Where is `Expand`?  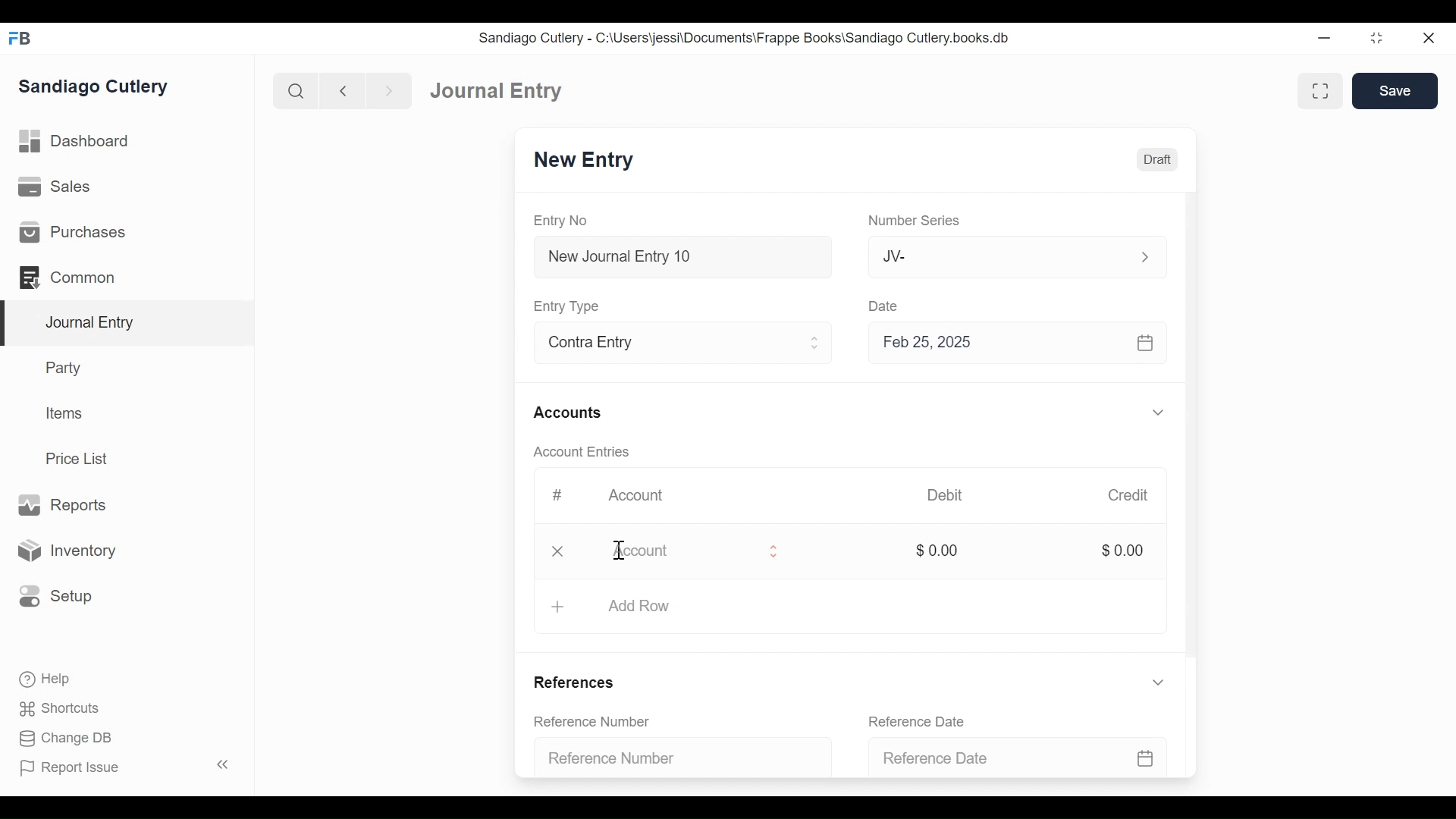
Expand is located at coordinates (773, 552).